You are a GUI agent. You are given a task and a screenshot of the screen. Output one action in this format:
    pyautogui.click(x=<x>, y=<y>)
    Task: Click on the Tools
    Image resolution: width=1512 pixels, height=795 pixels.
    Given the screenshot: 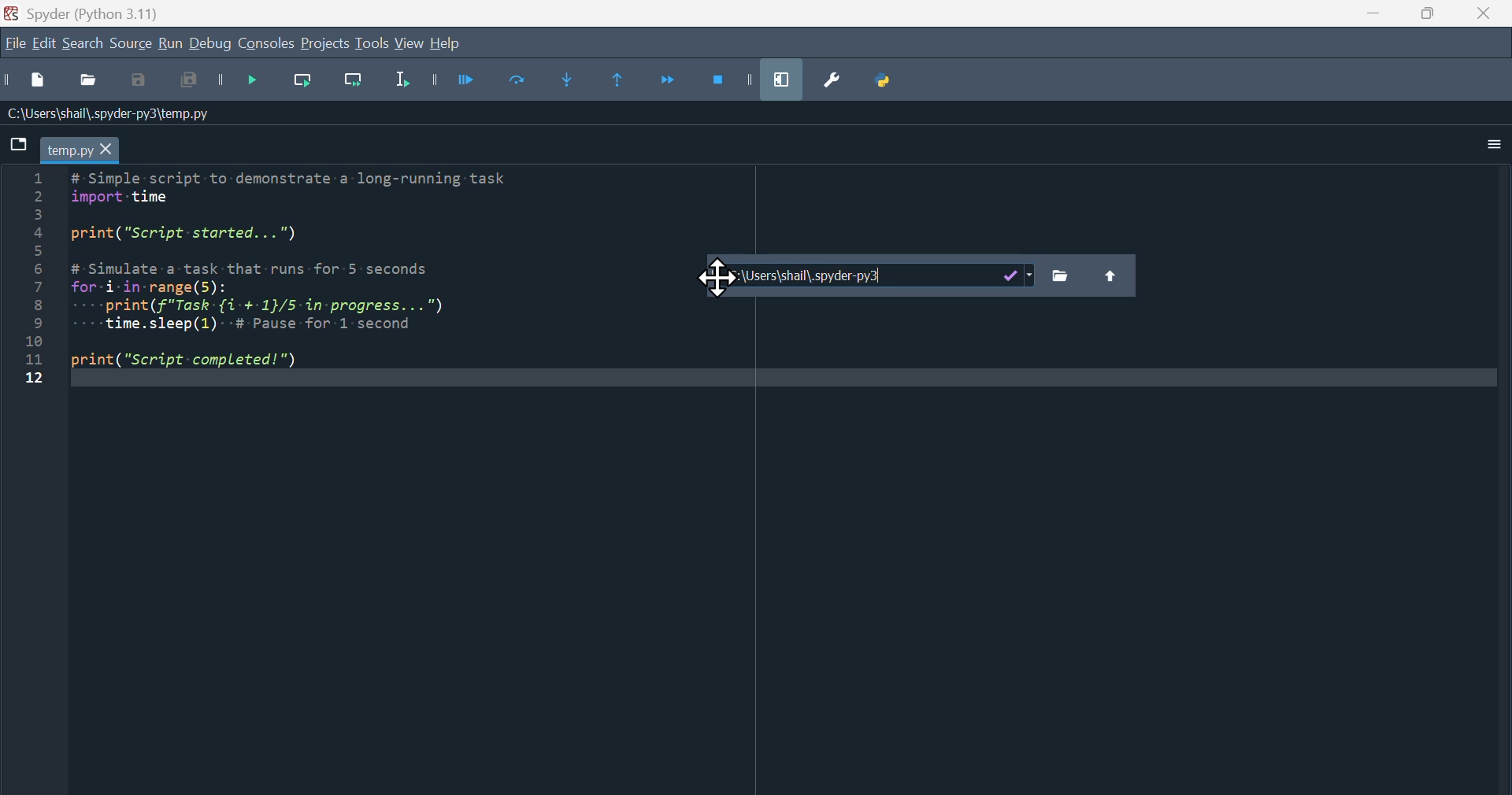 What is the action you would take?
    pyautogui.click(x=372, y=45)
    